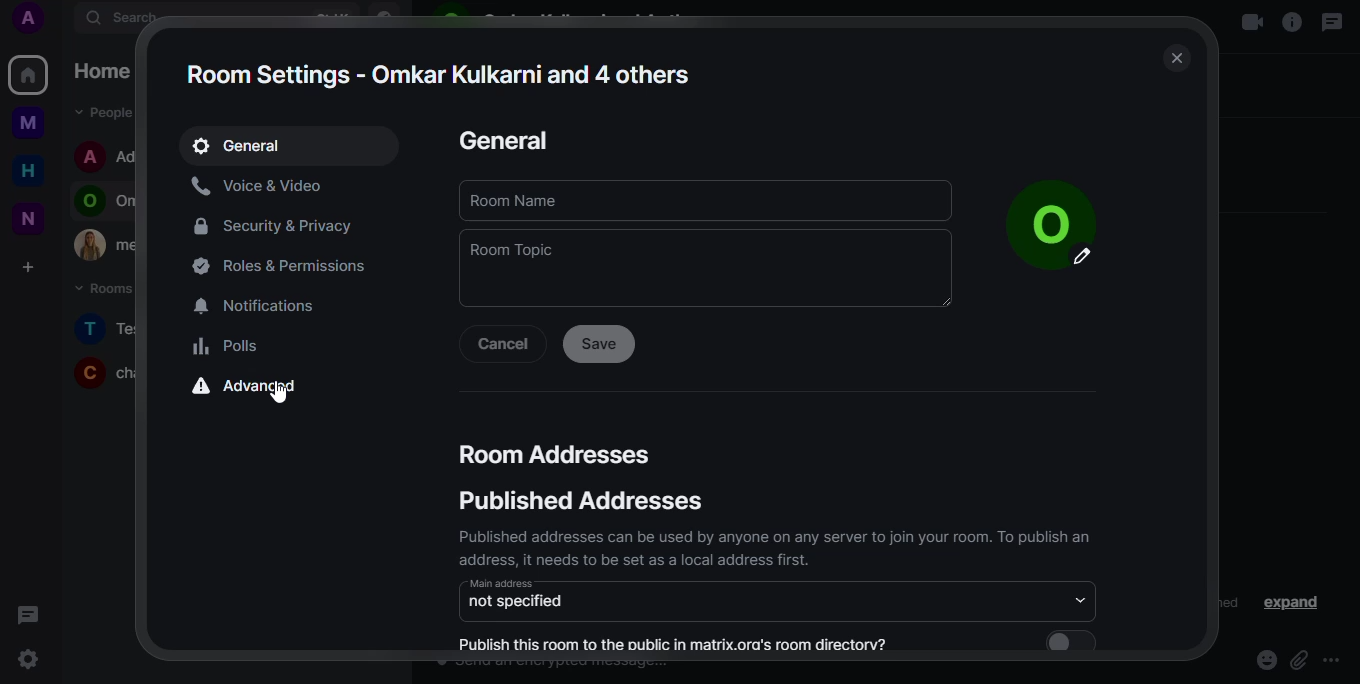 The height and width of the screenshot is (684, 1360). Describe the element at coordinates (1266, 658) in the screenshot. I see `emoji` at that location.